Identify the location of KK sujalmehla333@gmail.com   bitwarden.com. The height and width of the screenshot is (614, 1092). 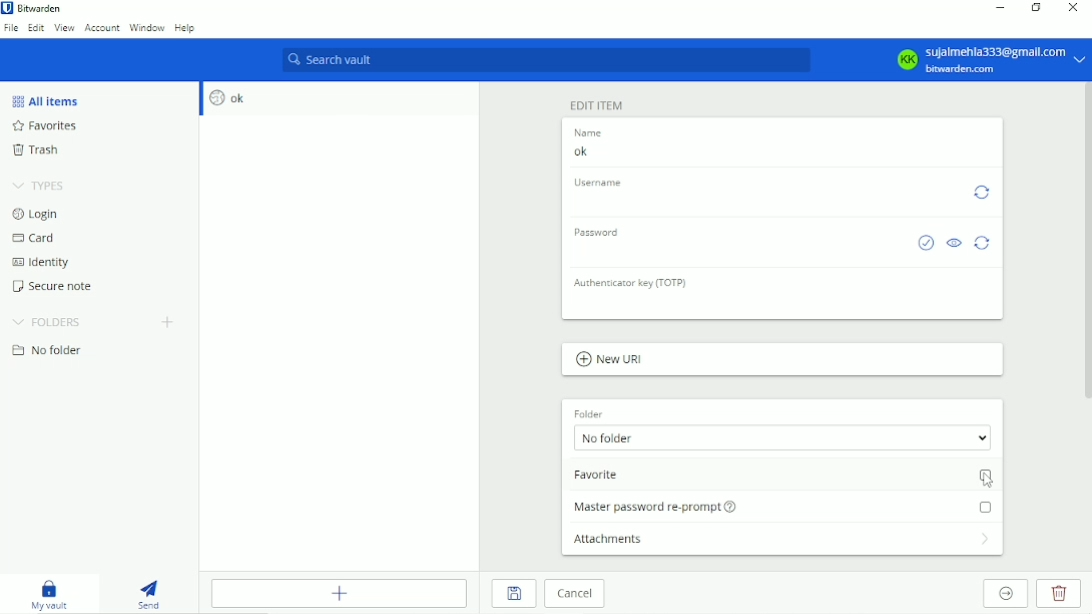
(988, 59).